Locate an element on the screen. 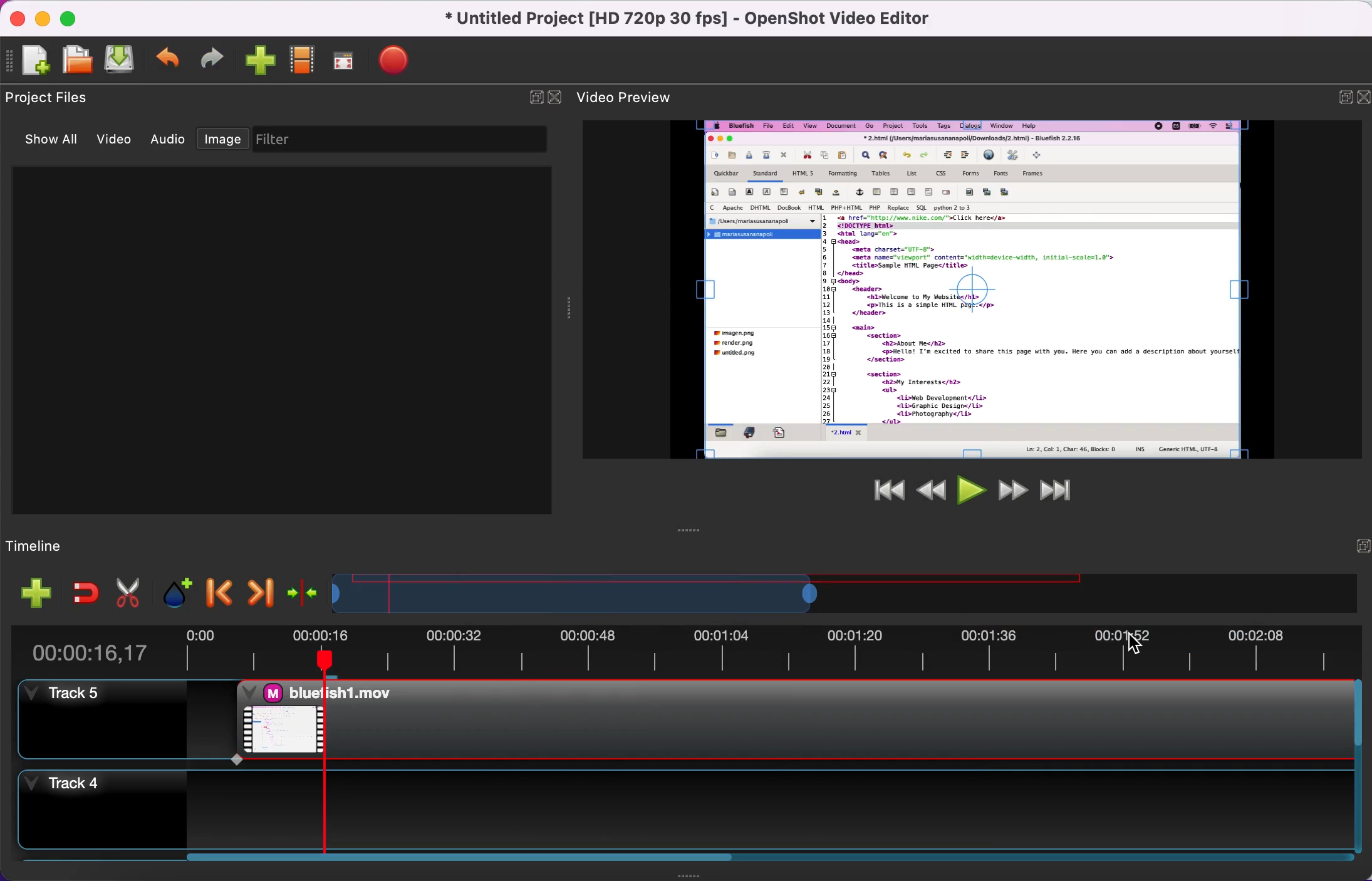 This screenshot has width=1372, height=881. video preview is located at coordinates (975, 289).